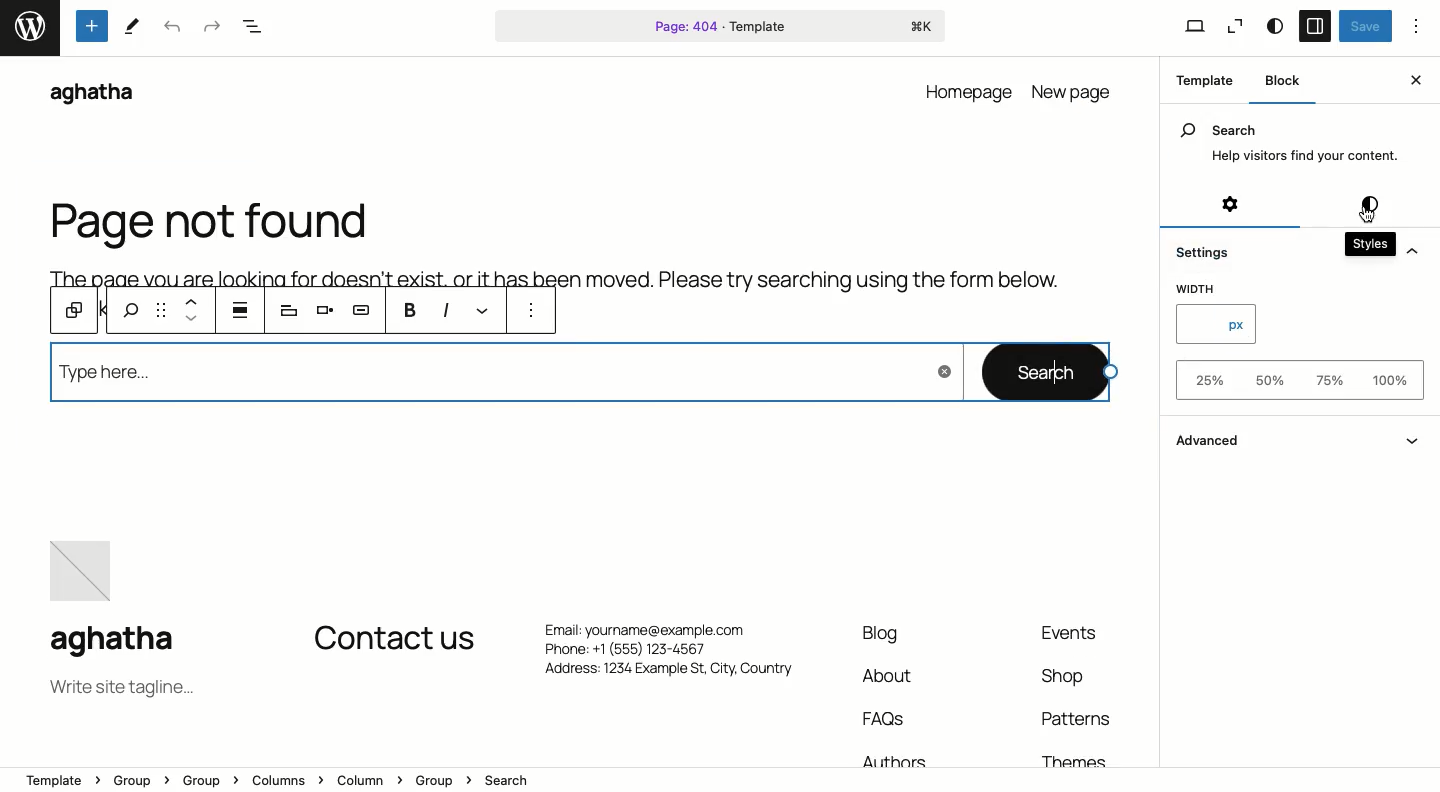 The width and height of the screenshot is (1440, 792). Describe the element at coordinates (882, 634) in the screenshot. I see `Blog` at that location.